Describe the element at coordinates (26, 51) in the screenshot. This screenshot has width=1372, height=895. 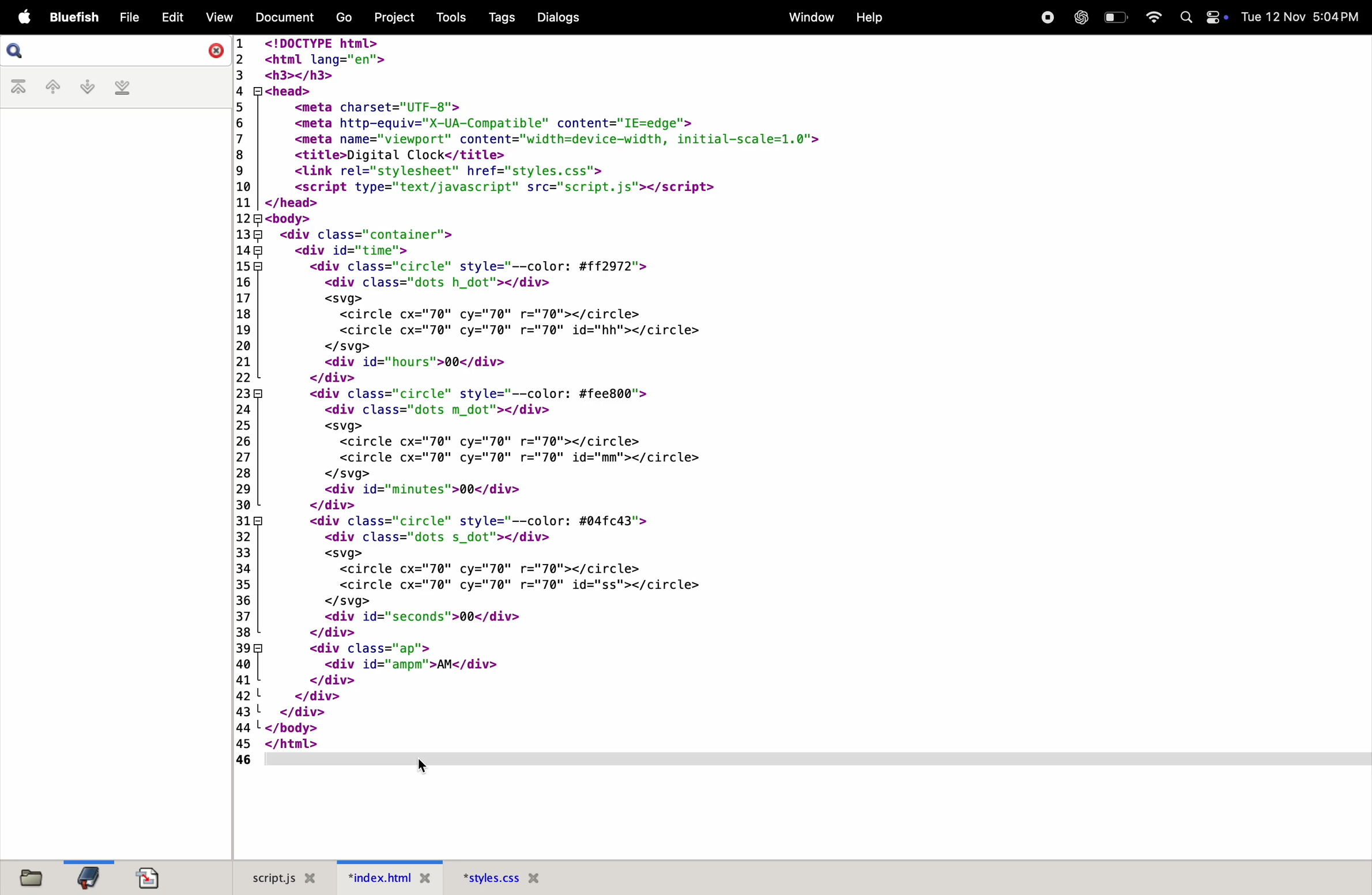
I see `search` at that location.